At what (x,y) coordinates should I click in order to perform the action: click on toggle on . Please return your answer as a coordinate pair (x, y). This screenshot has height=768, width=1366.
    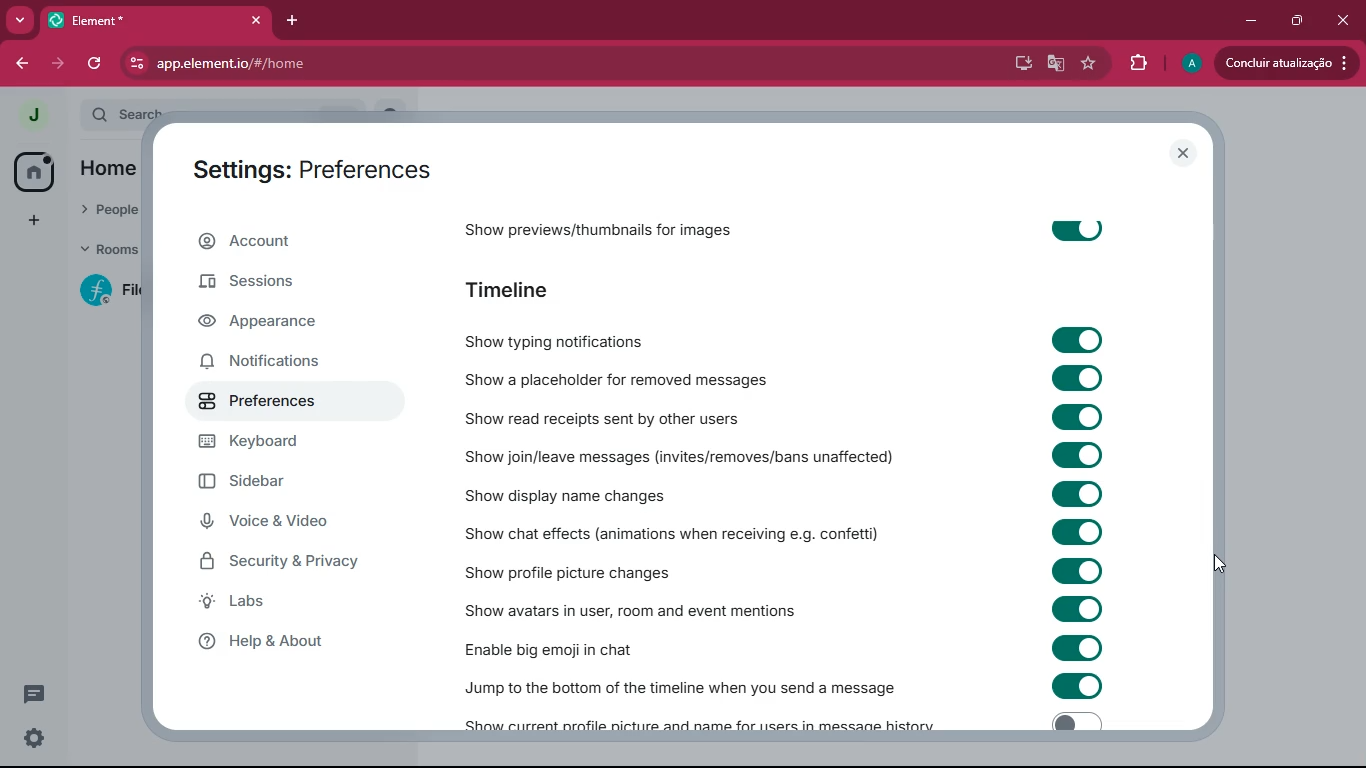
    Looking at the image, I should click on (1076, 493).